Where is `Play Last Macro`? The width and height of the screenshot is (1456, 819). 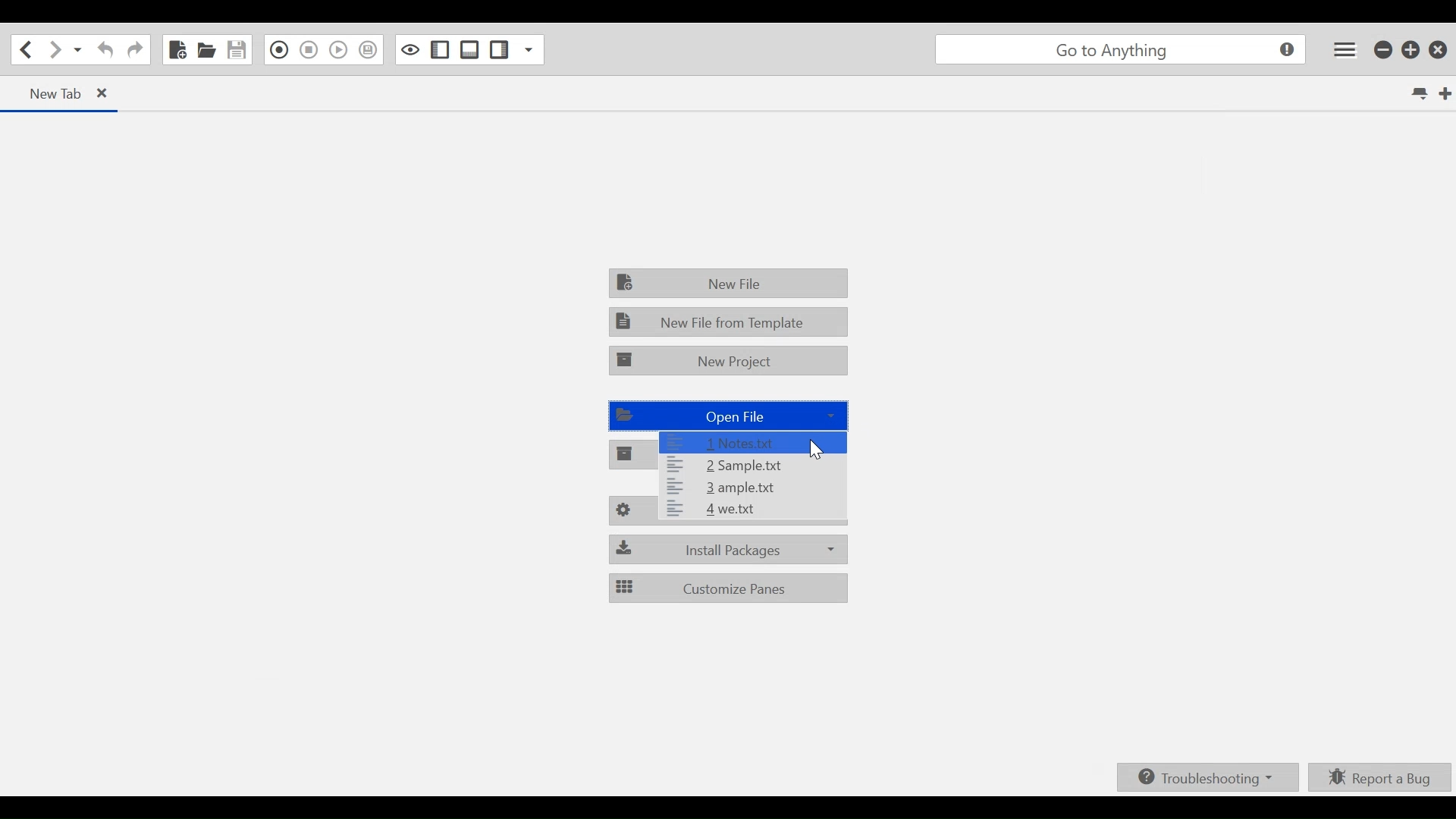
Play Last Macro is located at coordinates (337, 49).